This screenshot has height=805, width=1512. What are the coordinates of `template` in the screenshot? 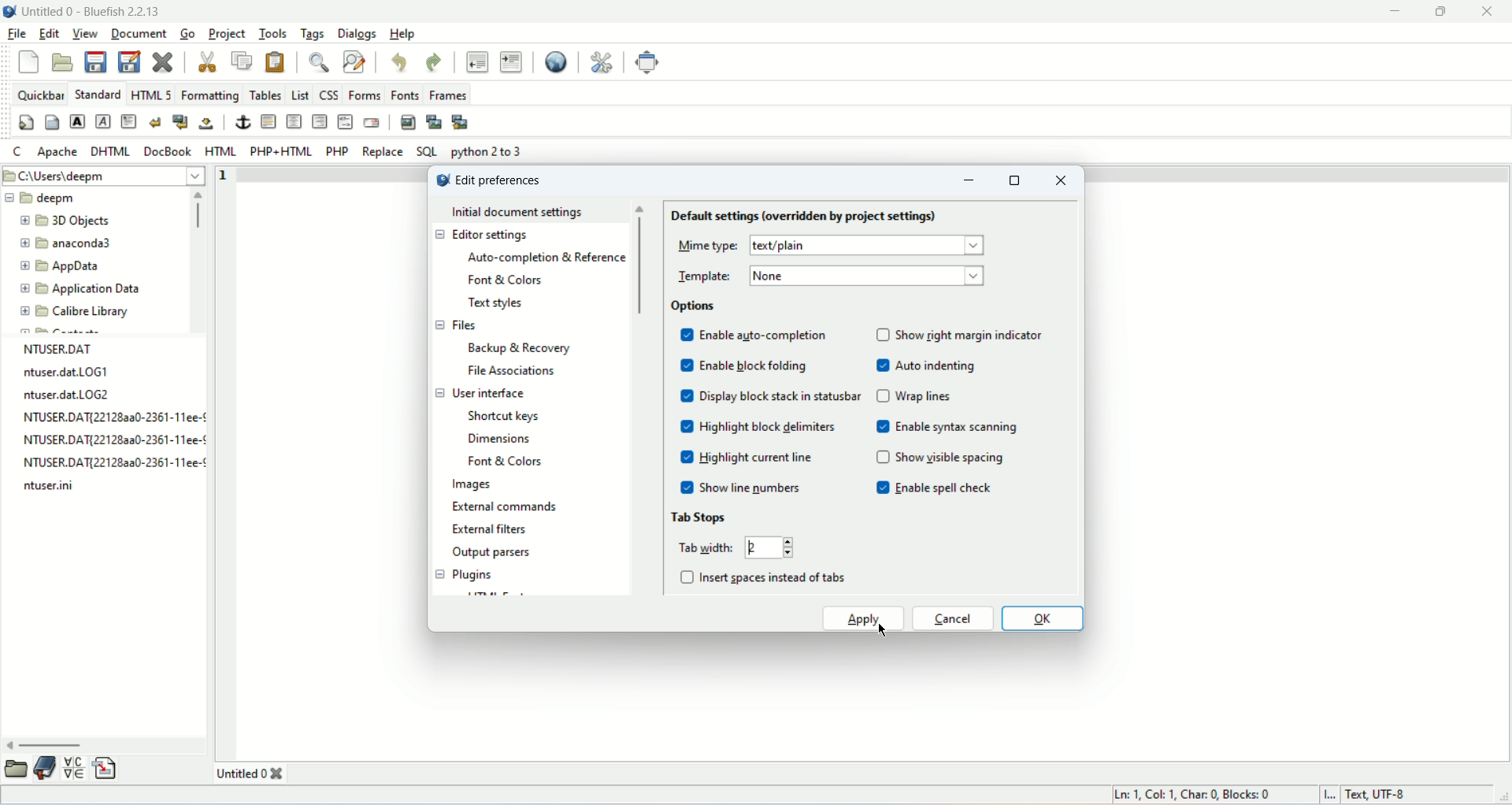 It's located at (702, 276).